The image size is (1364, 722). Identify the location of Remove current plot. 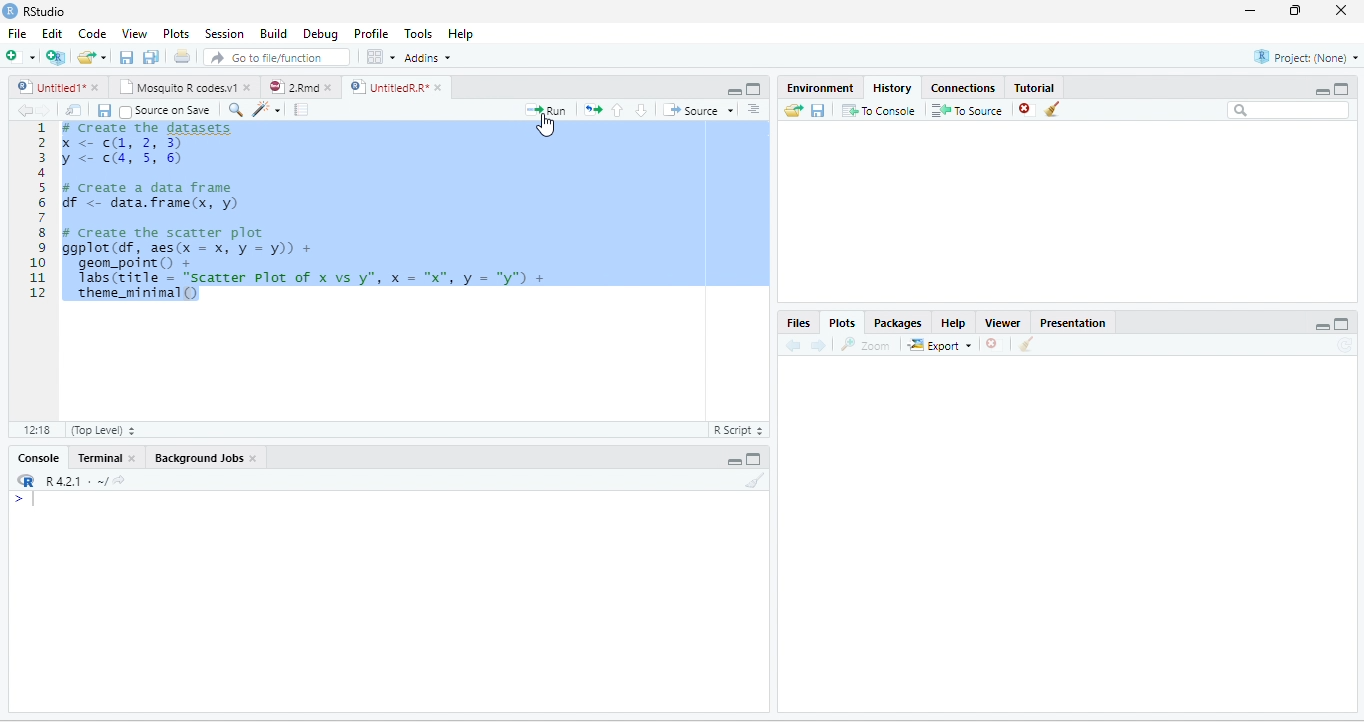
(993, 345).